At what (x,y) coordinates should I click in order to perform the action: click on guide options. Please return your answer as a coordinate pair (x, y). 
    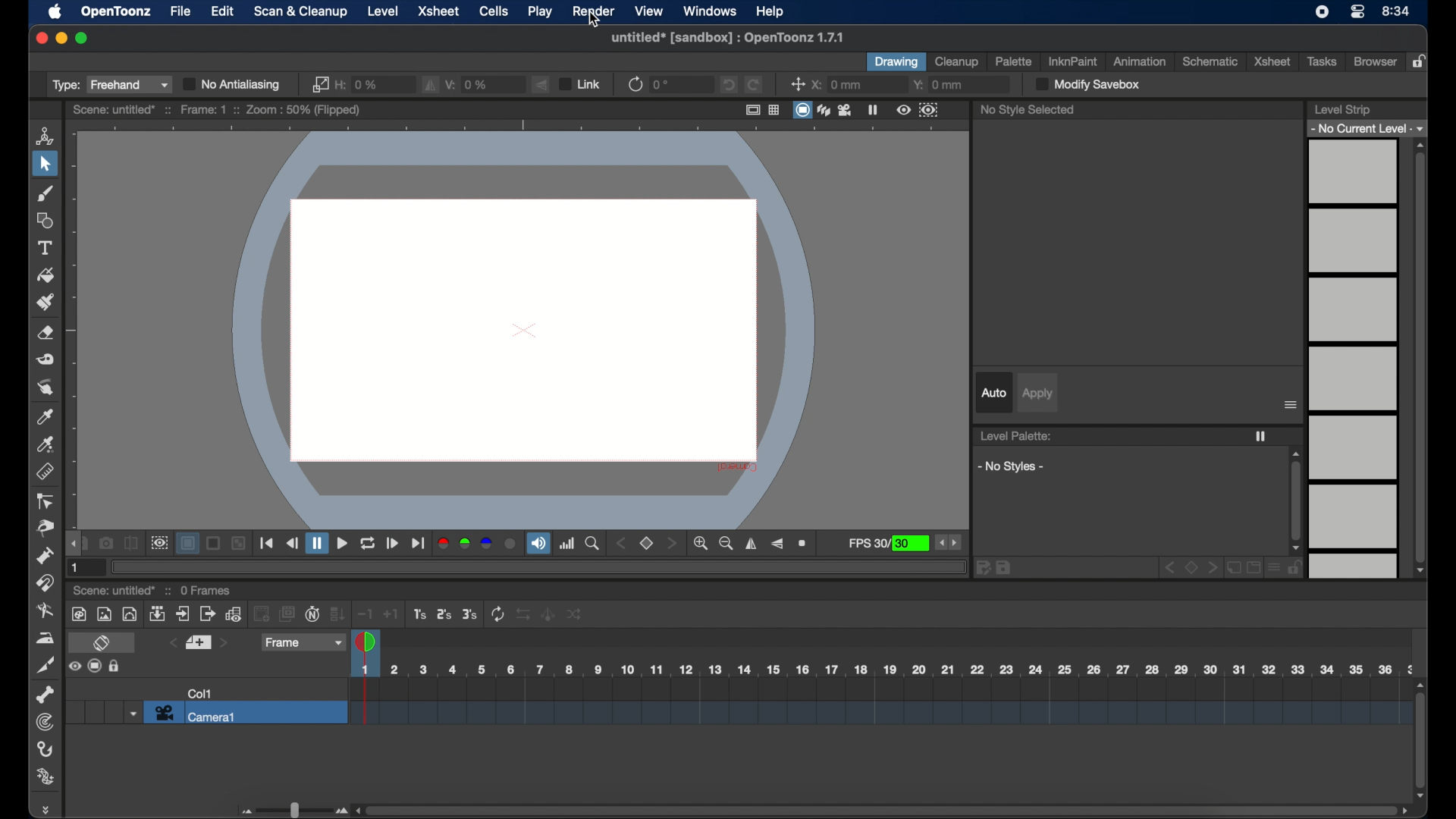
    Looking at the image, I should click on (764, 109).